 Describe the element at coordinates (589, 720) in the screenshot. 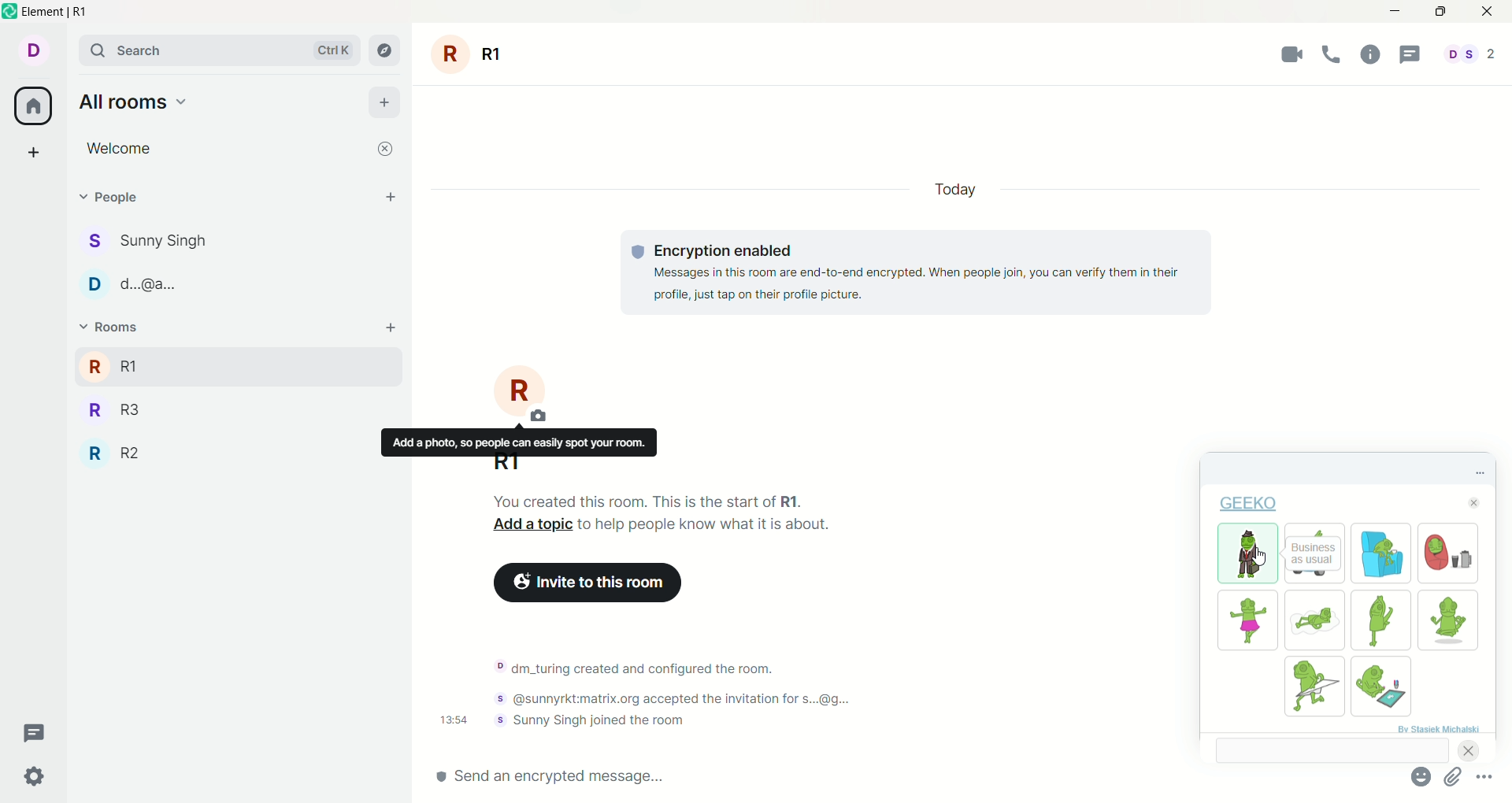

I see `Notification` at that location.